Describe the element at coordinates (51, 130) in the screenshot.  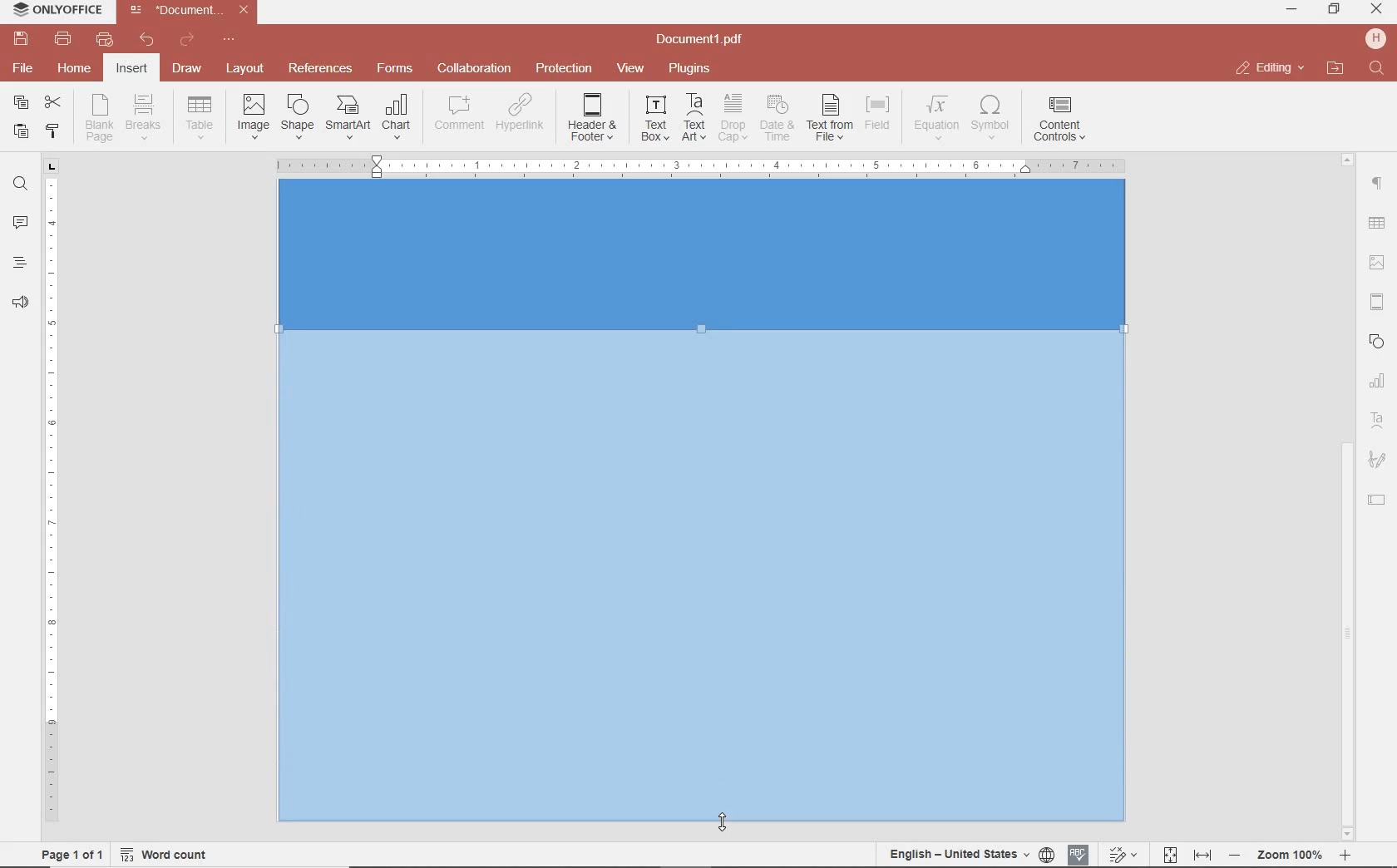
I see `copy style` at that location.